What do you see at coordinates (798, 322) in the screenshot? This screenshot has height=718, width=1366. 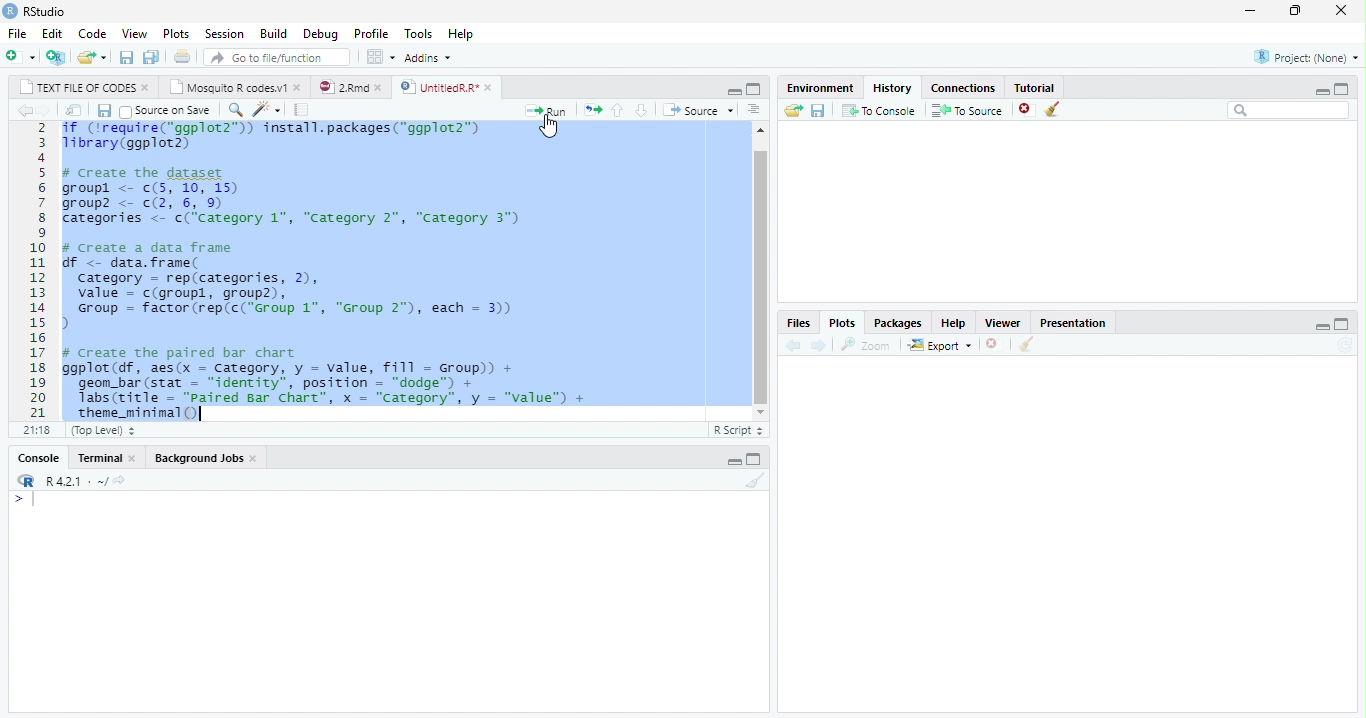 I see `files` at bounding box center [798, 322].